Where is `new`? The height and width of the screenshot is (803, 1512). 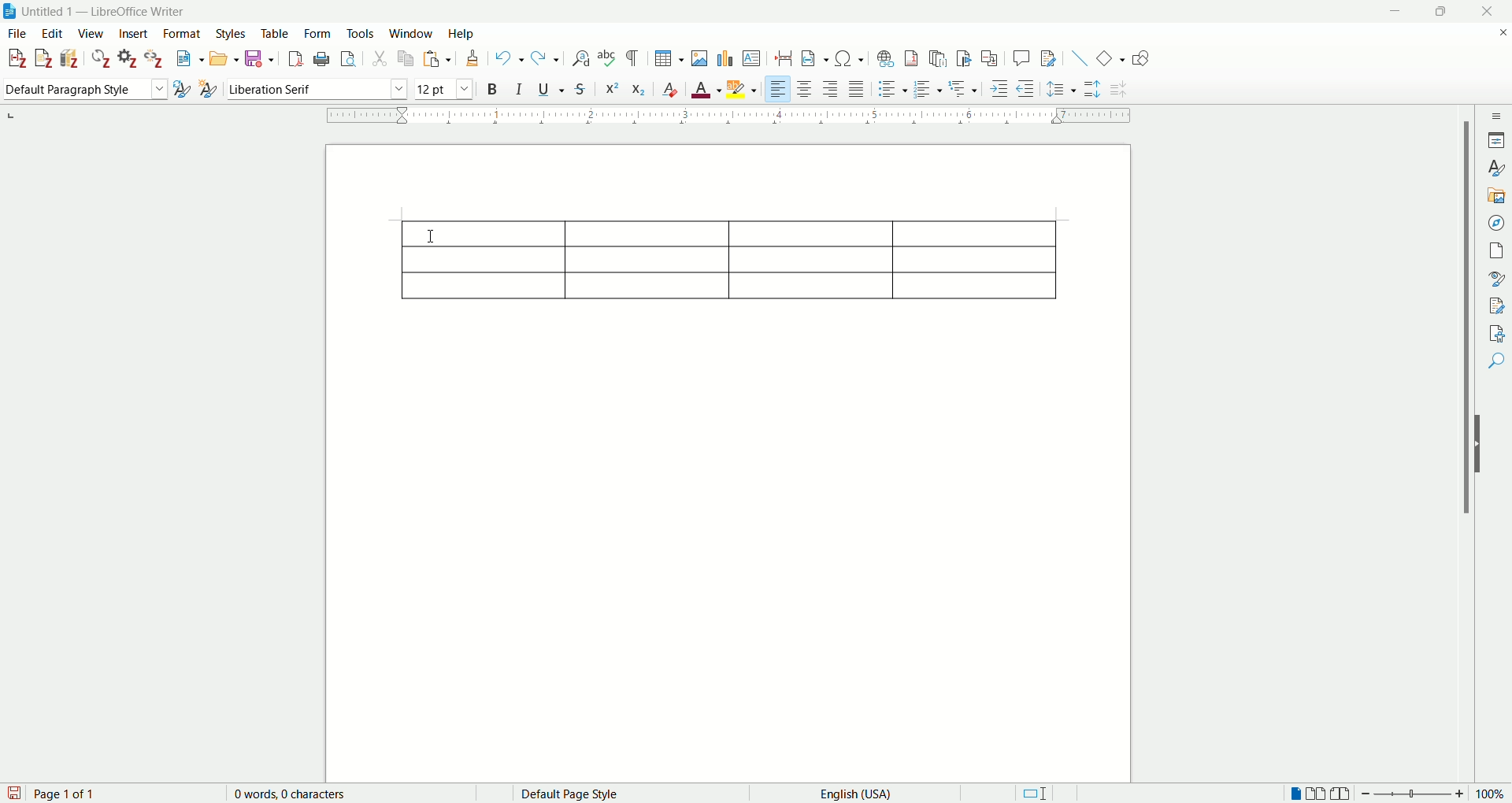
new is located at coordinates (188, 58).